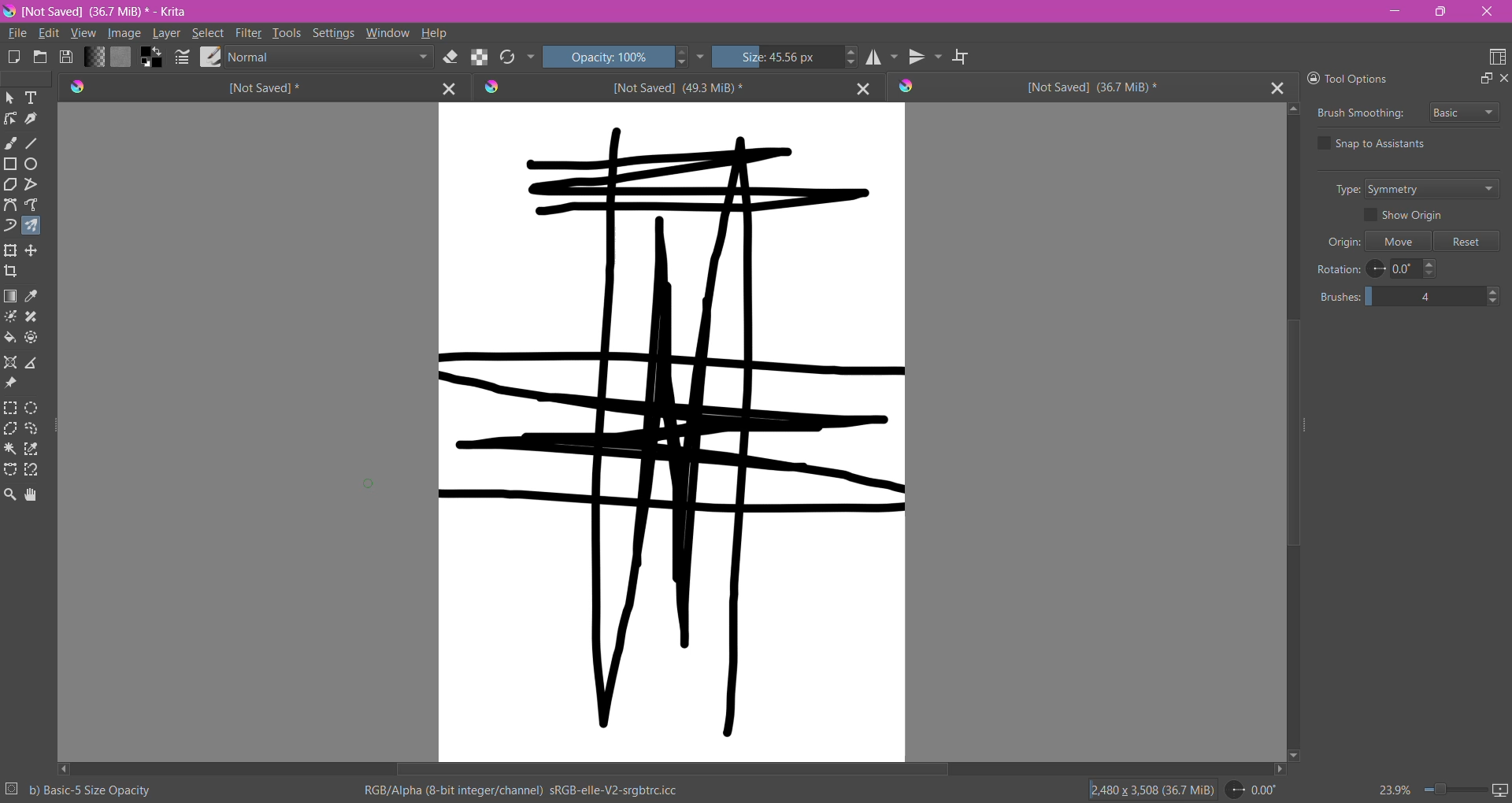  What do you see at coordinates (31, 495) in the screenshot?
I see `Pan Tool` at bounding box center [31, 495].